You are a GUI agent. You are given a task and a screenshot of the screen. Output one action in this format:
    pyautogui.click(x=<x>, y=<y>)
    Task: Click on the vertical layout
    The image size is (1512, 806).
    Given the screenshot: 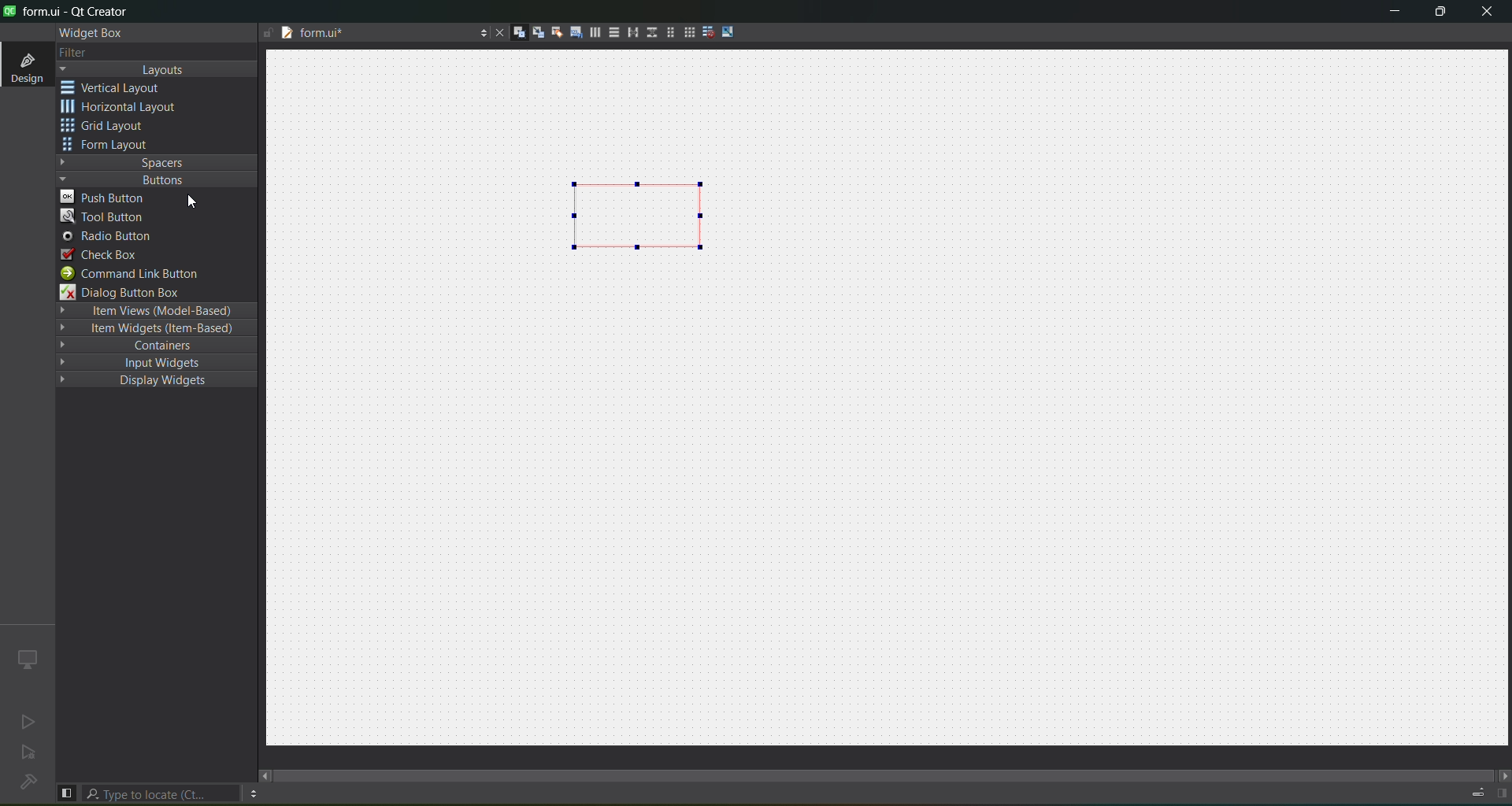 What is the action you would take?
    pyautogui.click(x=123, y=87)
    